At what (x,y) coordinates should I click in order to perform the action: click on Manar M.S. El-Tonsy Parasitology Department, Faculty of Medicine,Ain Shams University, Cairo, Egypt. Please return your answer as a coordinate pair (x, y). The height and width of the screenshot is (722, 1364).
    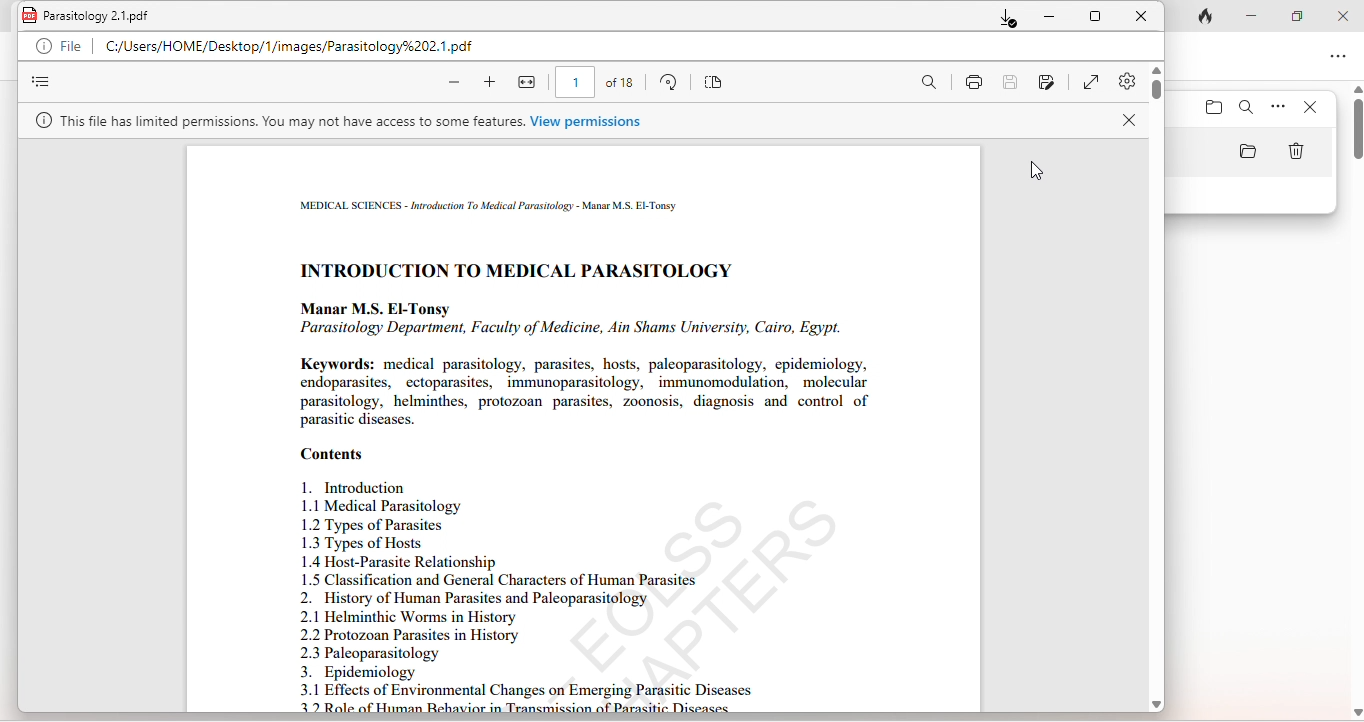
    Looking at the image, I should click on (580, 322).